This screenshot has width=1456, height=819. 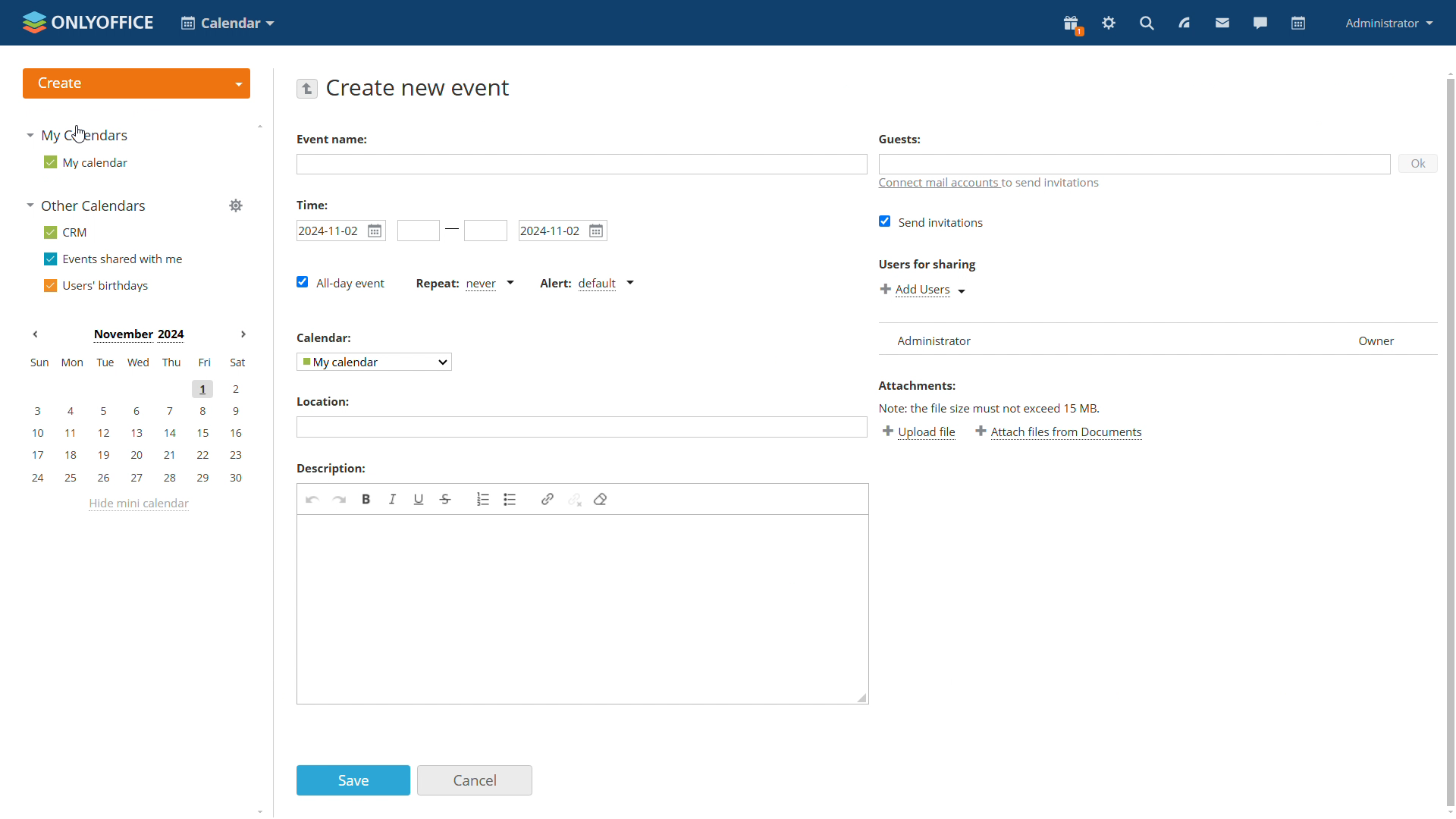 I want to click on create, so click(x=135, y=83).